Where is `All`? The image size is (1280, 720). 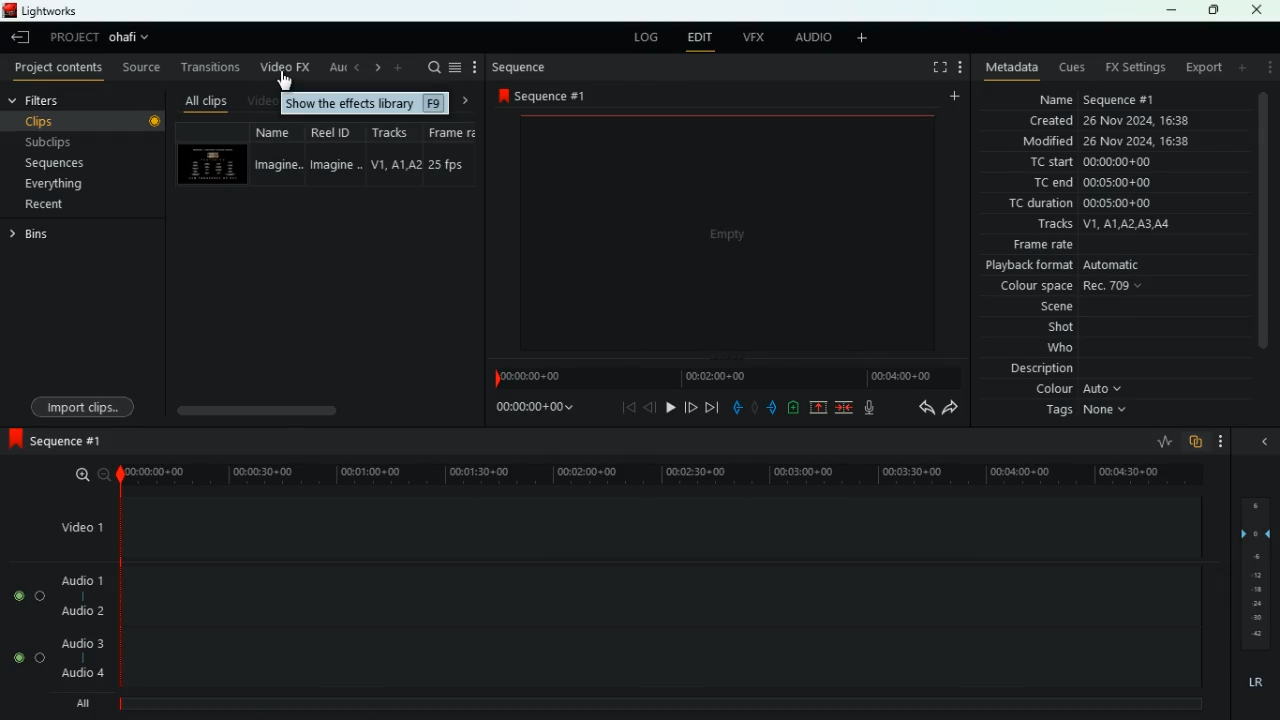 All is located at coordinates (86, 700).